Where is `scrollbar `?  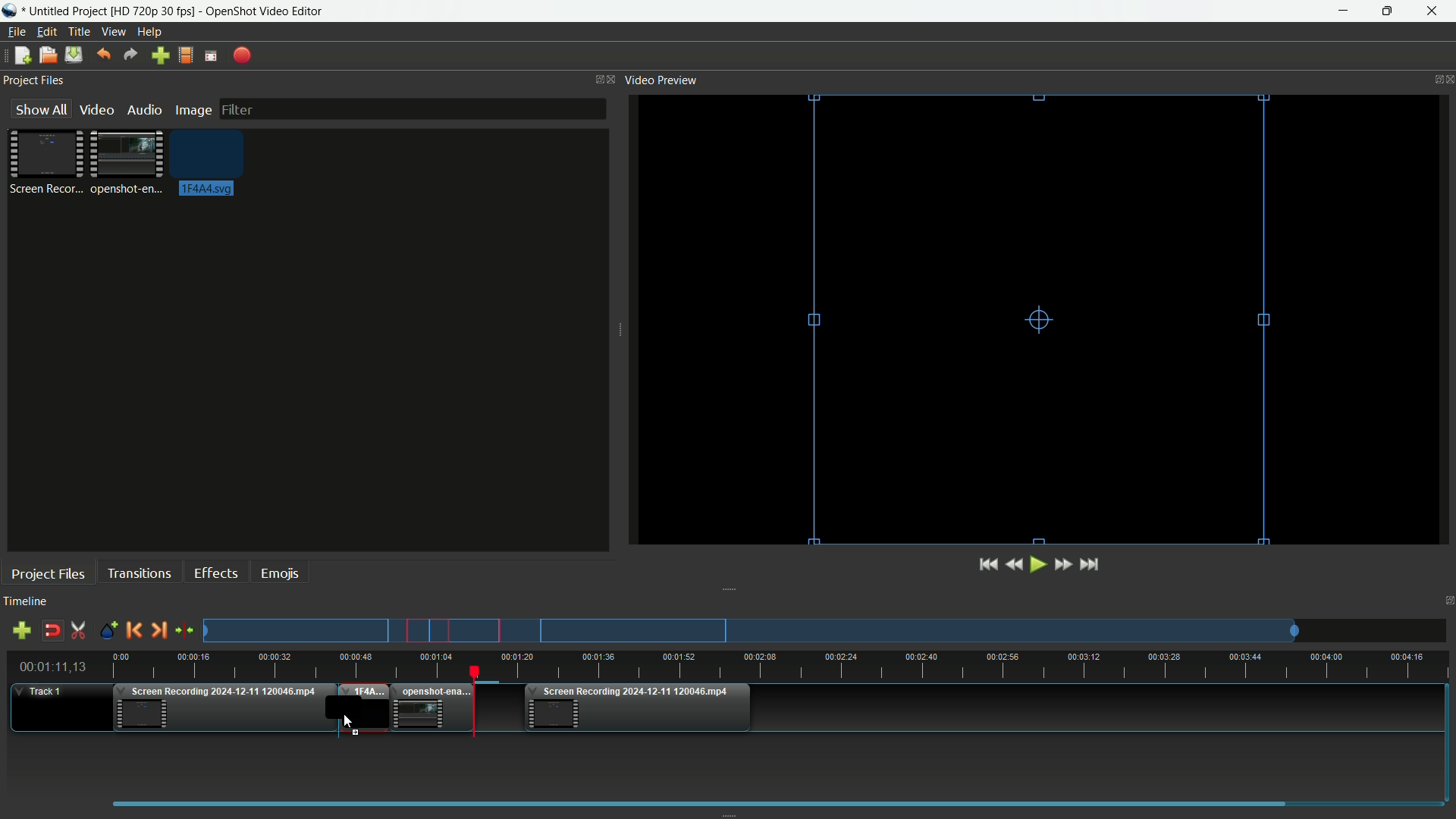
scrollbar  is located at coordinates (771, 802).